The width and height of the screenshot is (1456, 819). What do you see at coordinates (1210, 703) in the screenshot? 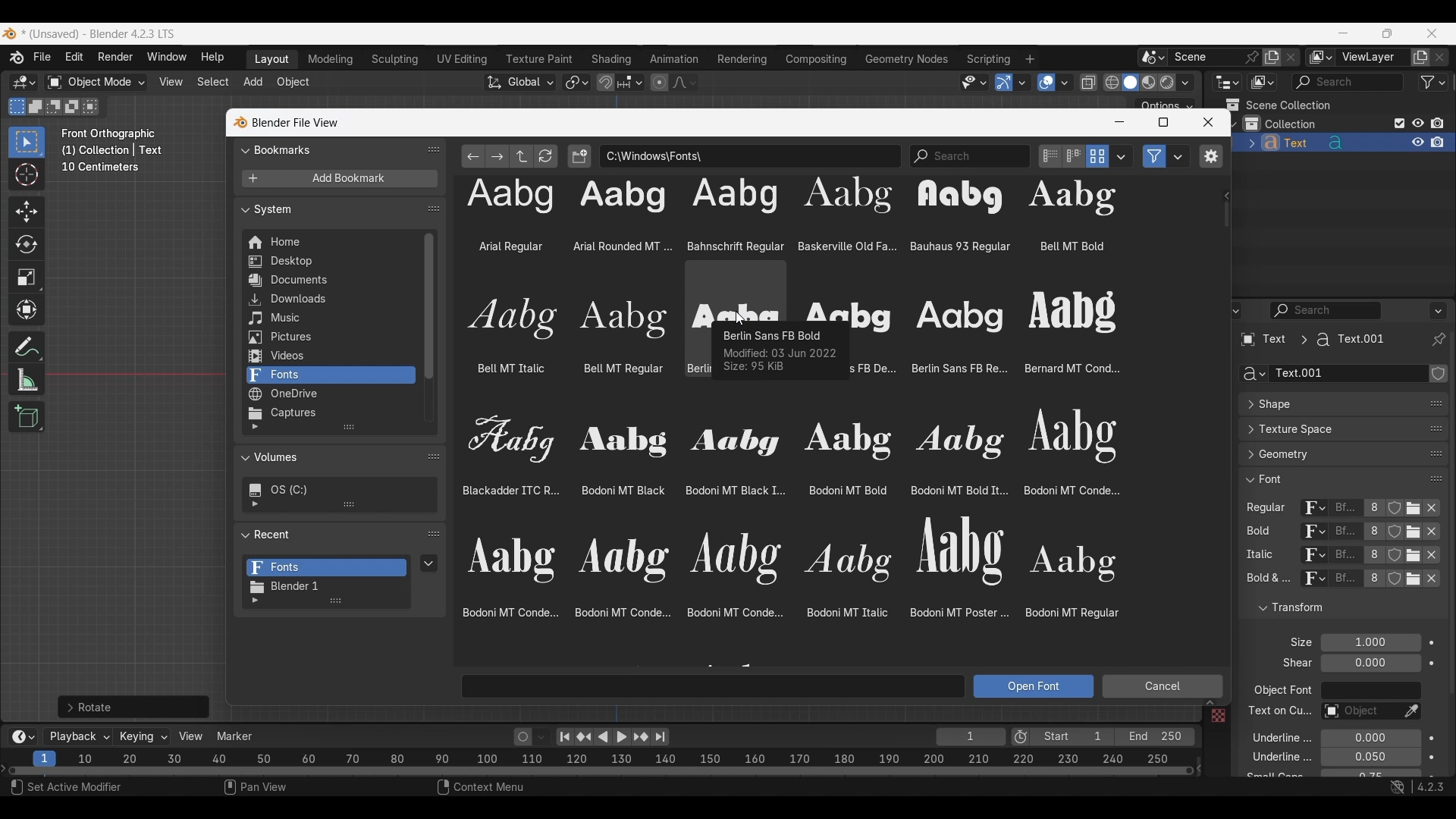
I see `Expand View/Select` at bounding box center [1210, 703].